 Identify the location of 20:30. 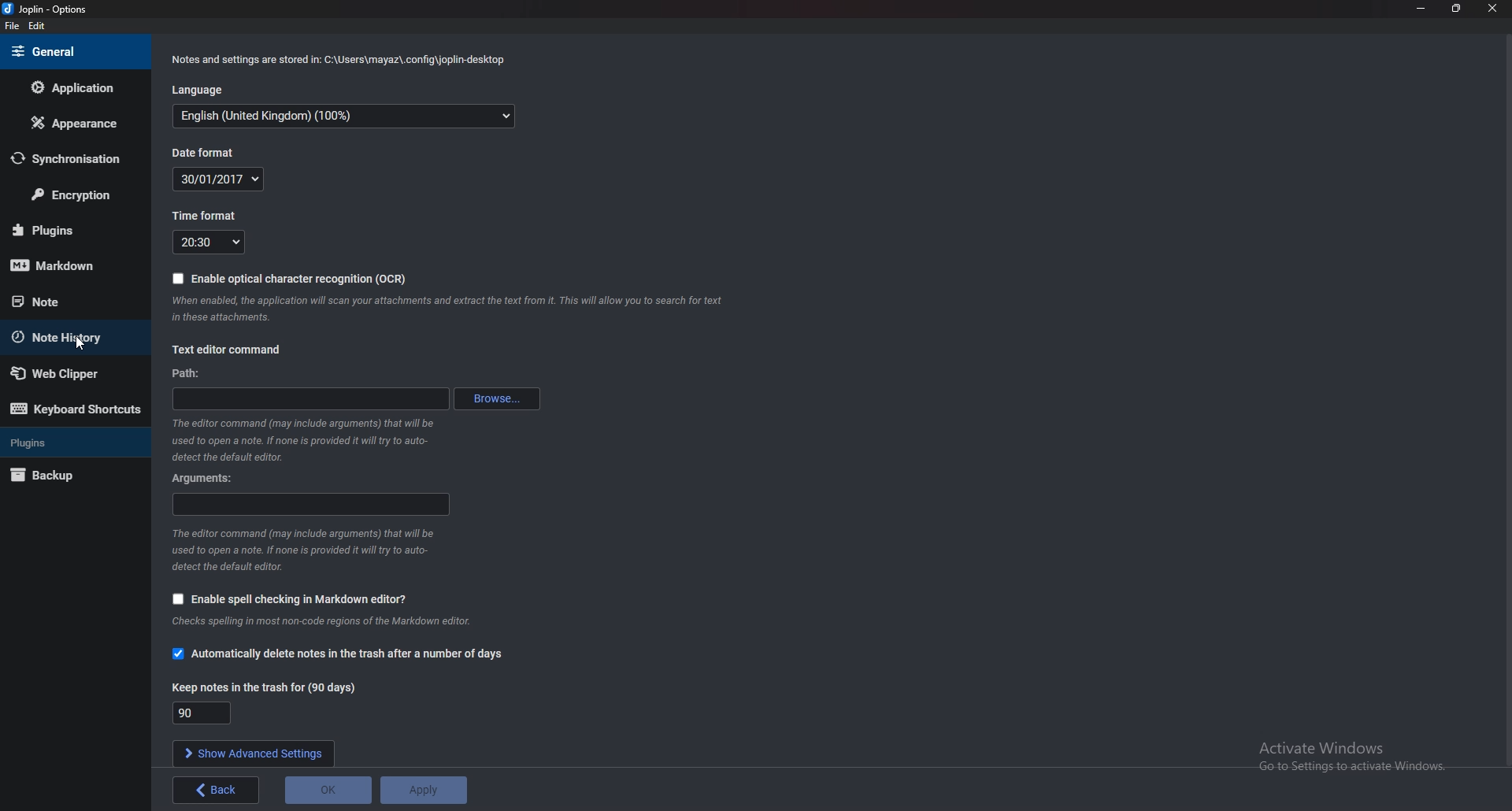
(211, 241).